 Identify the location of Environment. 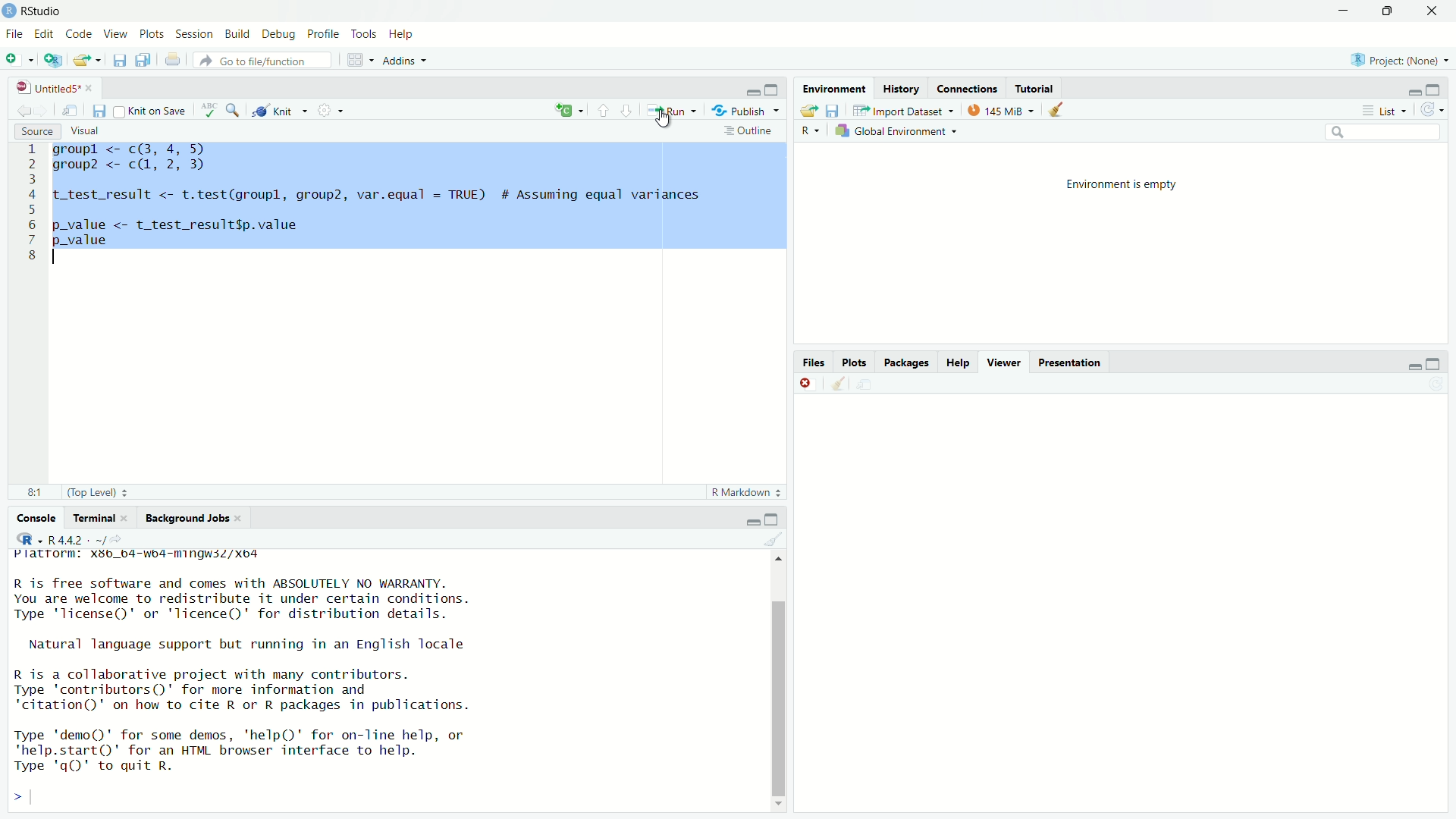
(831, 87).